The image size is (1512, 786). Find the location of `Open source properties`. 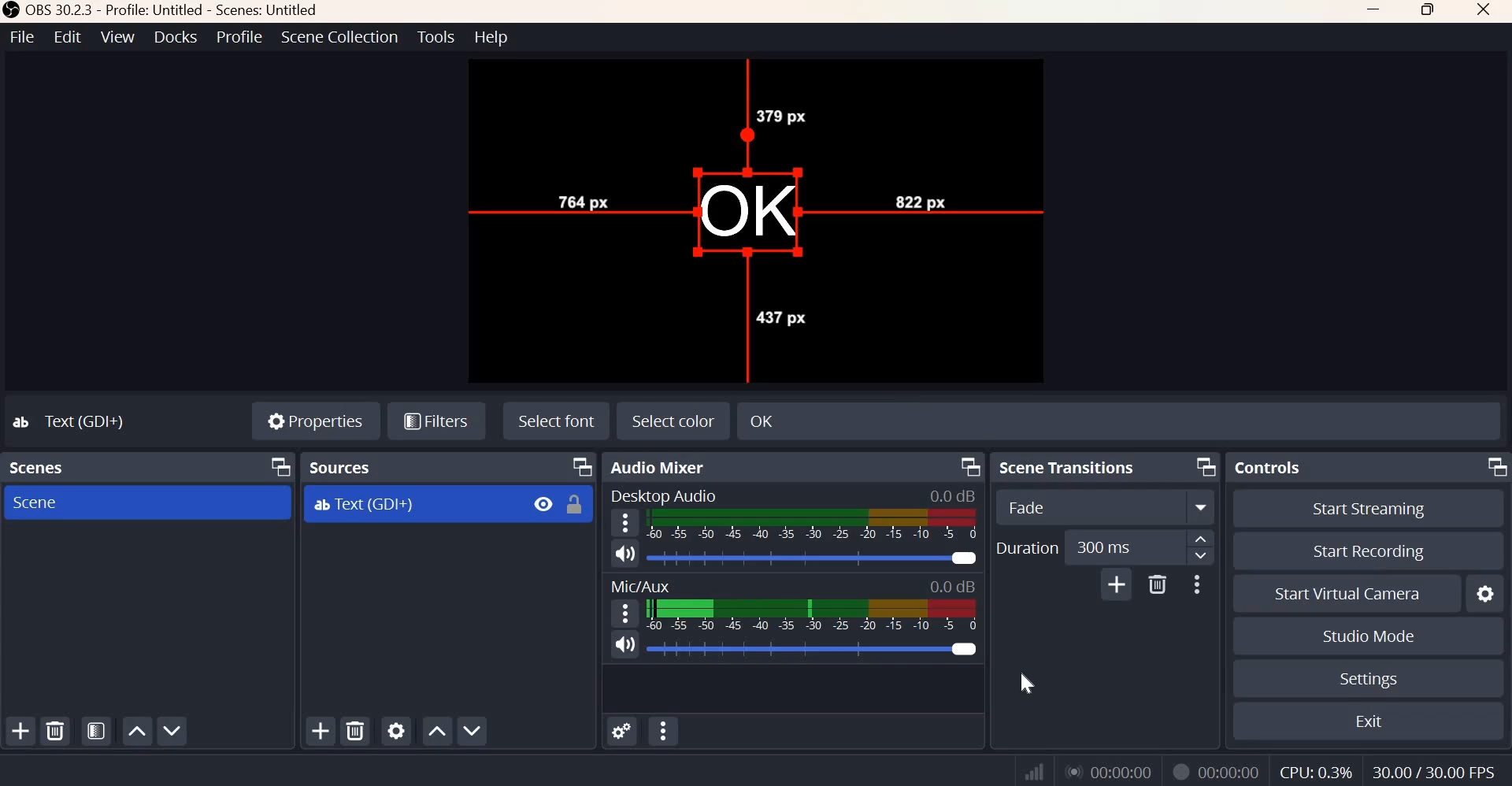

Open source properties is located at coordinates (395, 730).